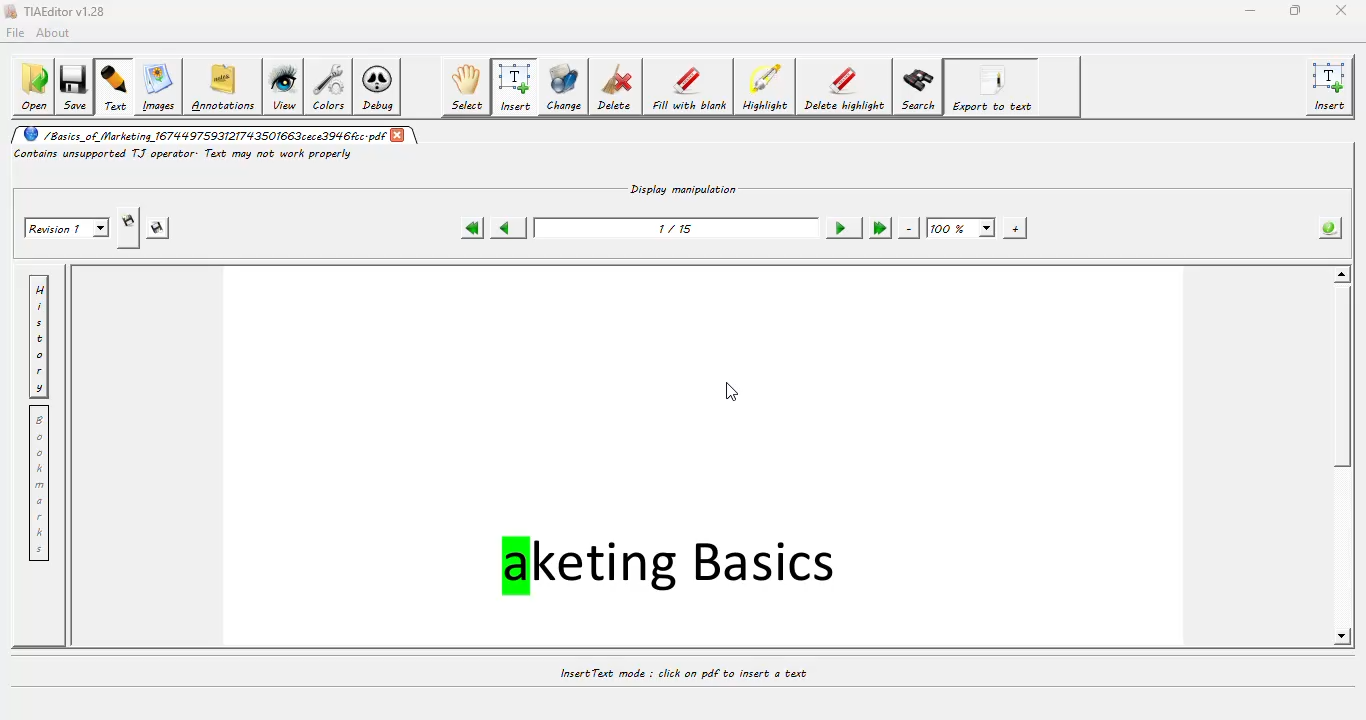 This screenshot has height=720, width=1366. I want to click on zoom out, so click(909, 228).